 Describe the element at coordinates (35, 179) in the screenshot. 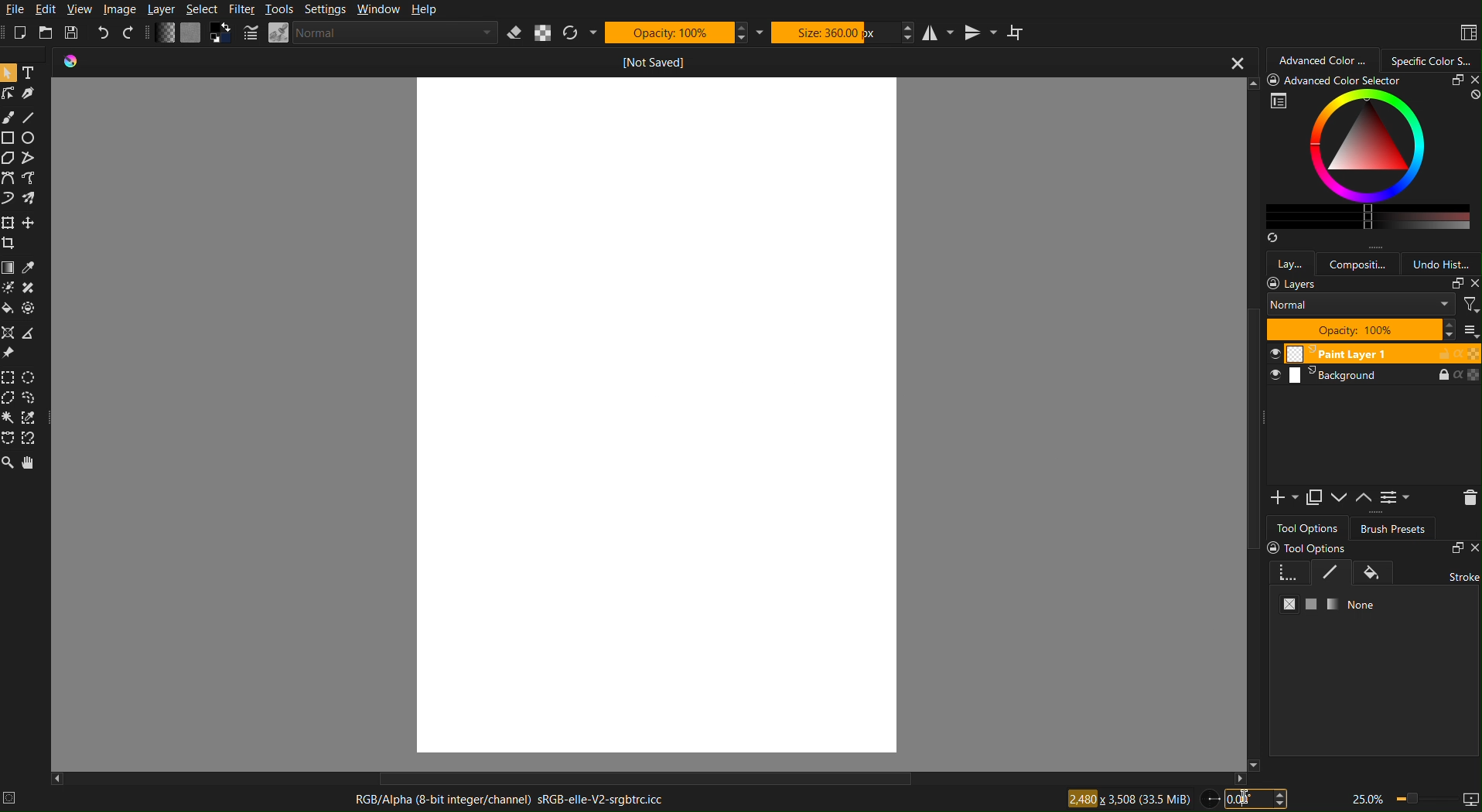

I see `Polyline Tool` at that location.